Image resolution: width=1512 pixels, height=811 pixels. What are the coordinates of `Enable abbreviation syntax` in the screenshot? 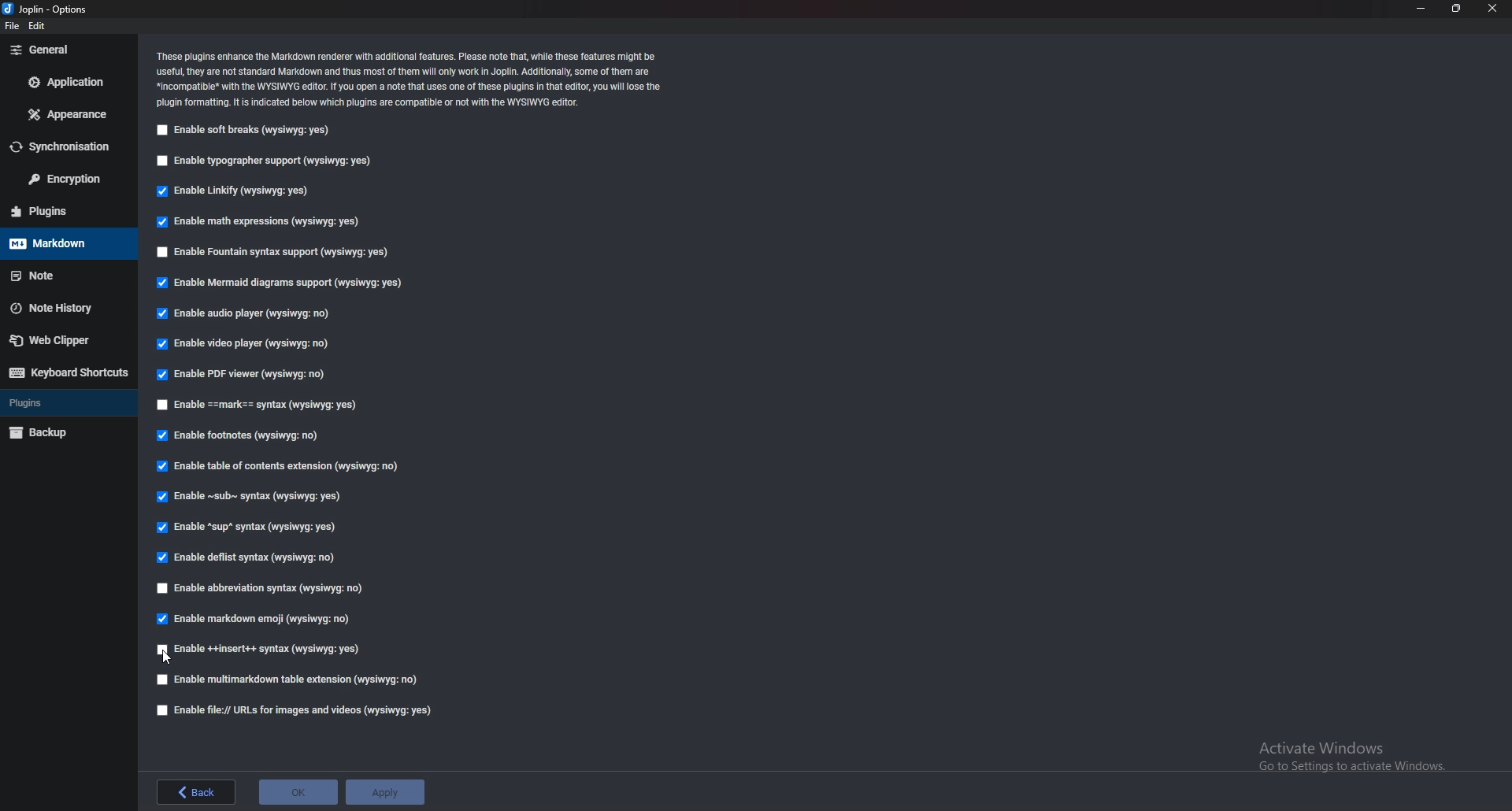 It's located at (261, 590).